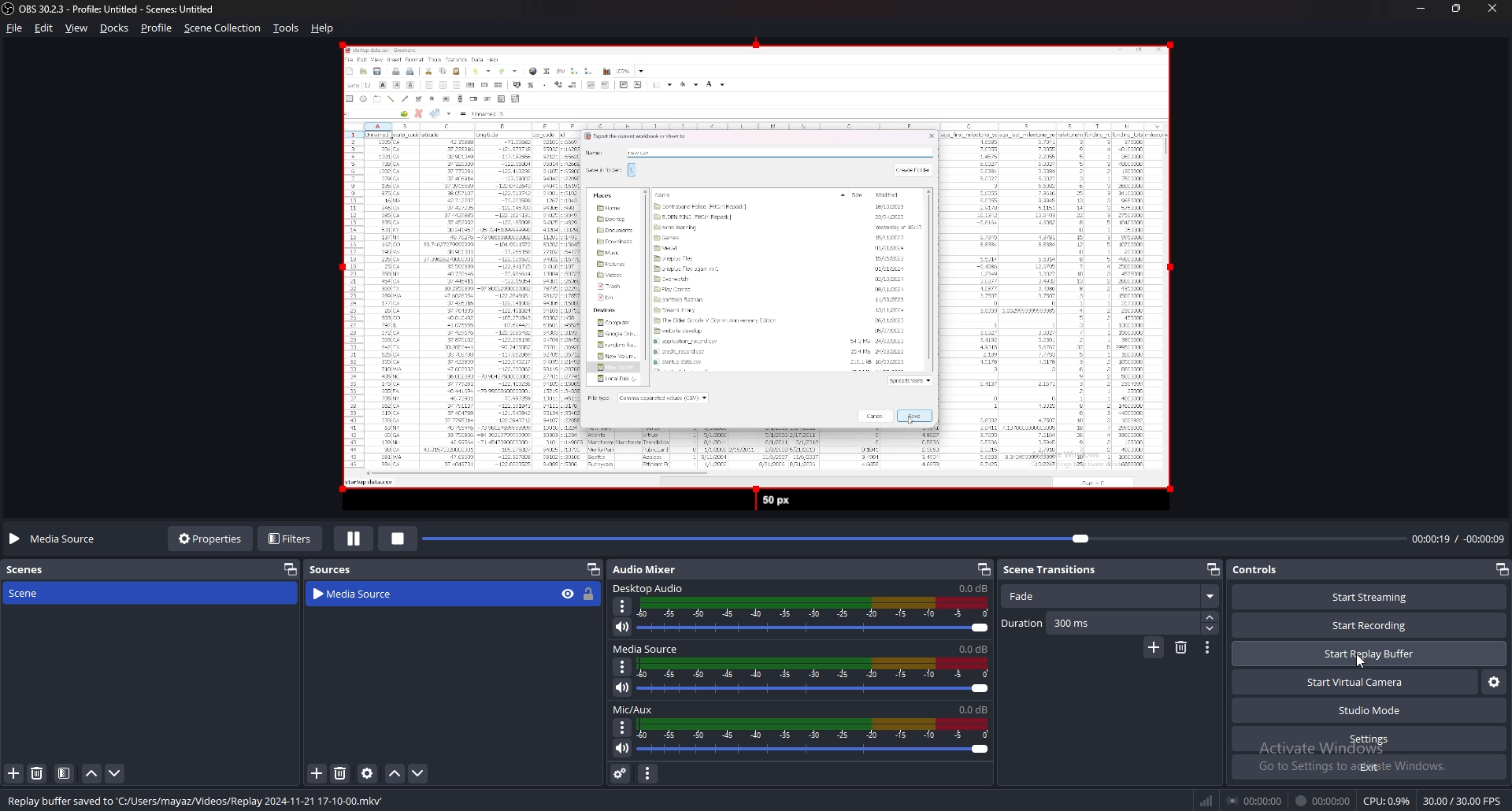 The width and height of the screenshot is (1512, 811). Describe the element at coordinates (114, 774) in the screenshot. I see `move scene down` at that location.